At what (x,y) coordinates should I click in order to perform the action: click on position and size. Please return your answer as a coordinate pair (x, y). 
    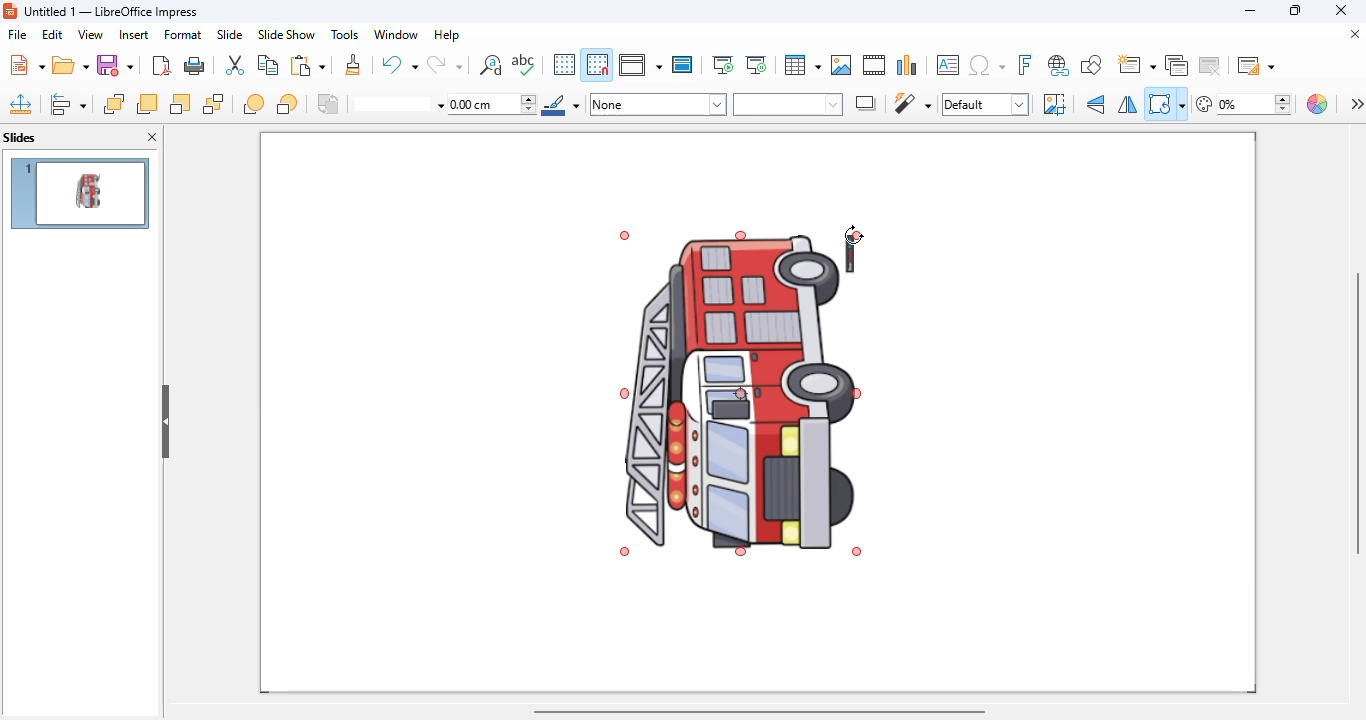
    Looking at the image, I should click on (21, 104).